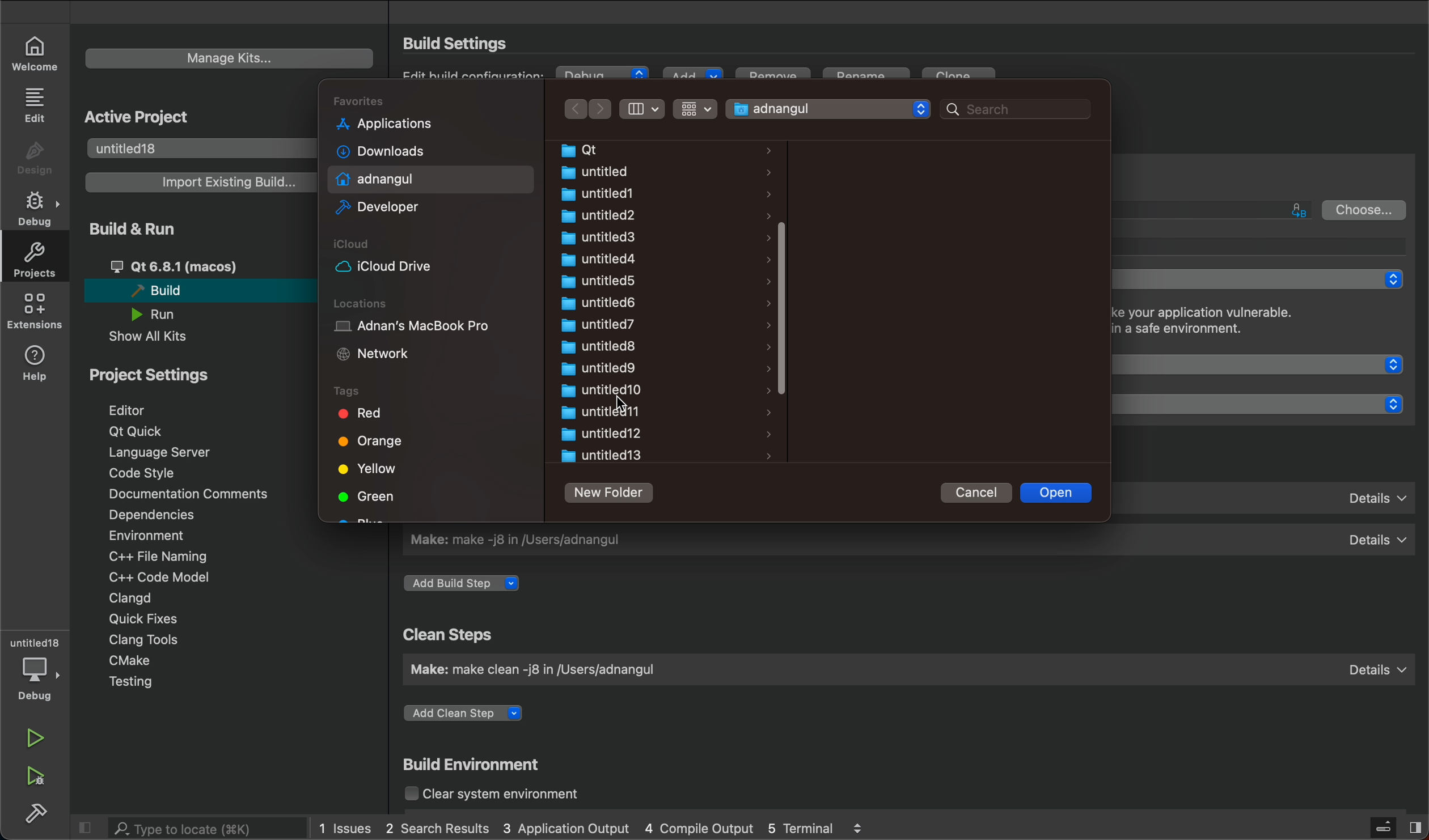  What do you see at coordinates (1395, 826) in the screenshot?
I see `close slidebar` at bounding box center [1395, 826].